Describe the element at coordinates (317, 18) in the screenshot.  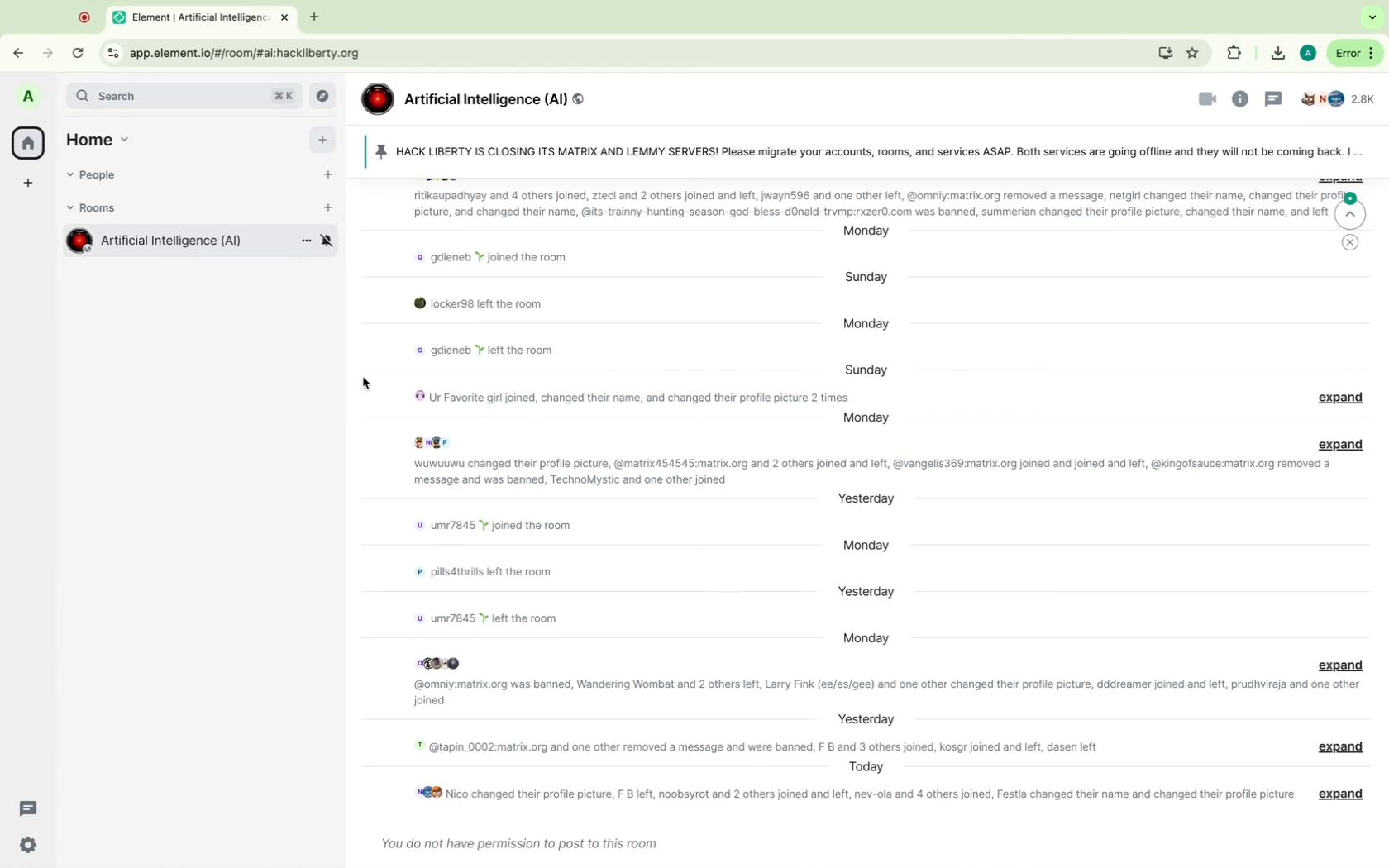
I see `new tab` at that location.